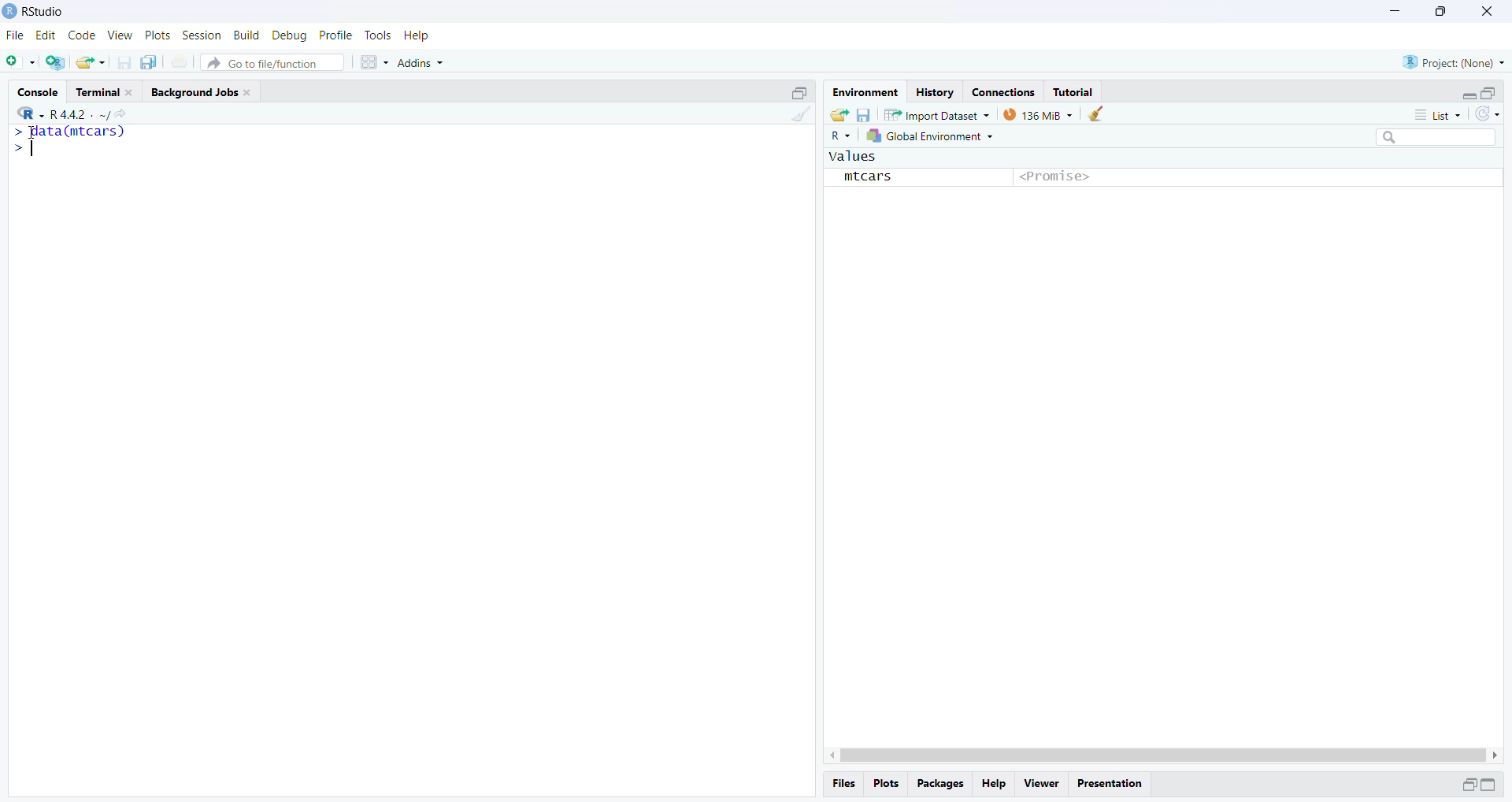 The width and height of the screenshot is (1512, 802). Describe the element at coordinates (1455, 61) in the screenshot. I see `Project (None)` at that location.